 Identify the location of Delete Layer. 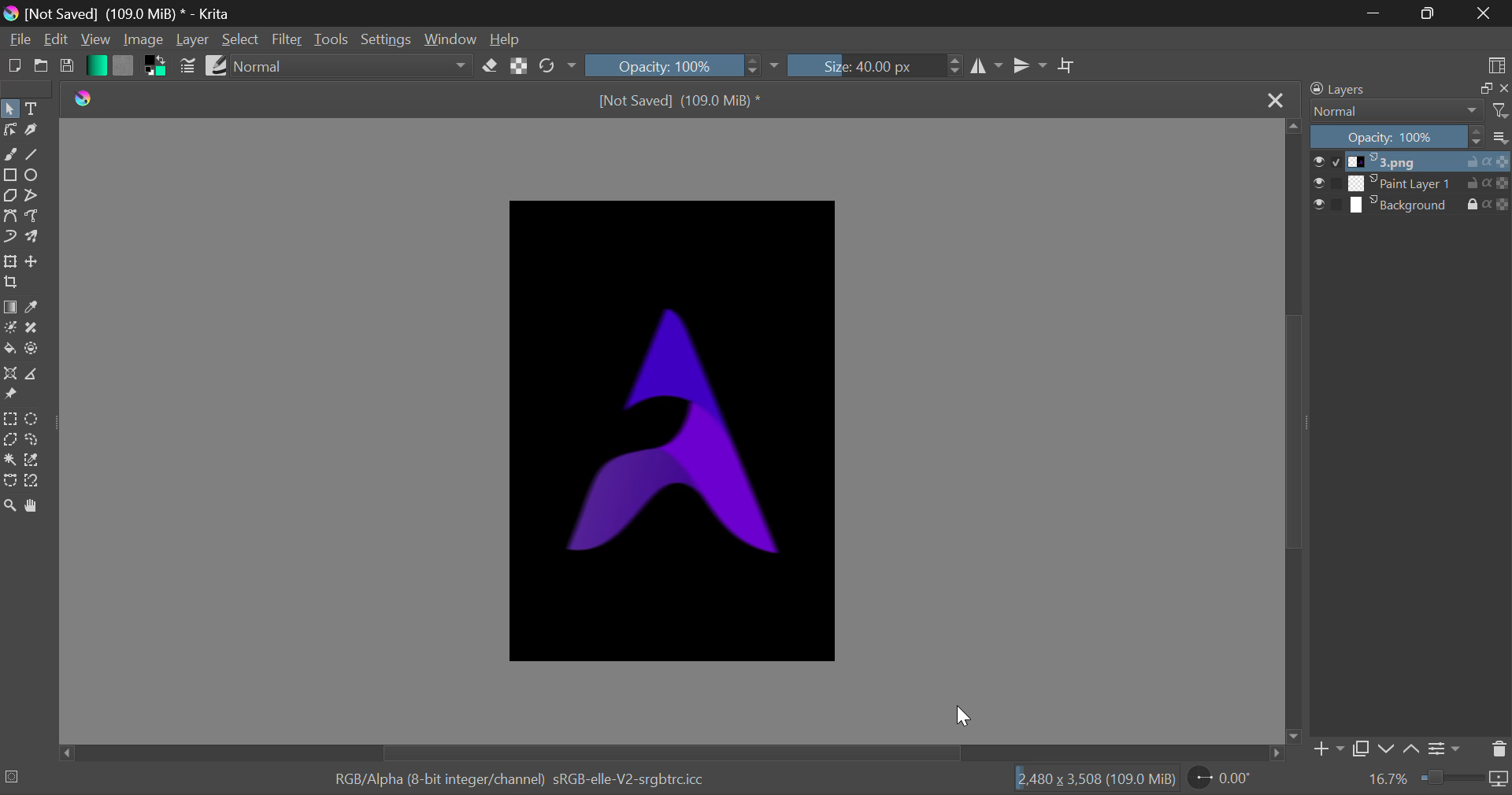
(1498, 749).